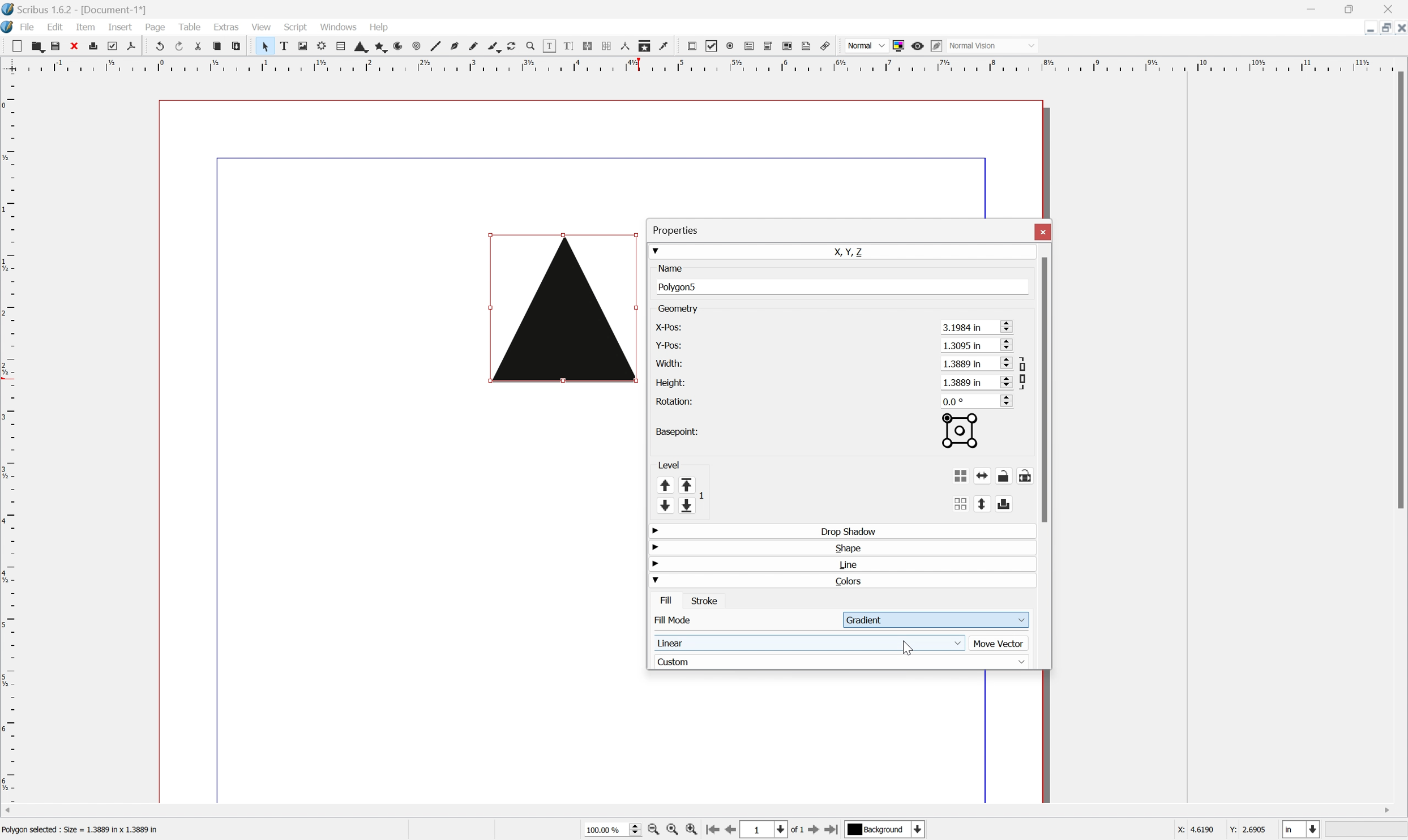  What do you see at coordinates (991, 45) in the screenshot?
I see `Normal Vision` at bounding box center [991, 45].